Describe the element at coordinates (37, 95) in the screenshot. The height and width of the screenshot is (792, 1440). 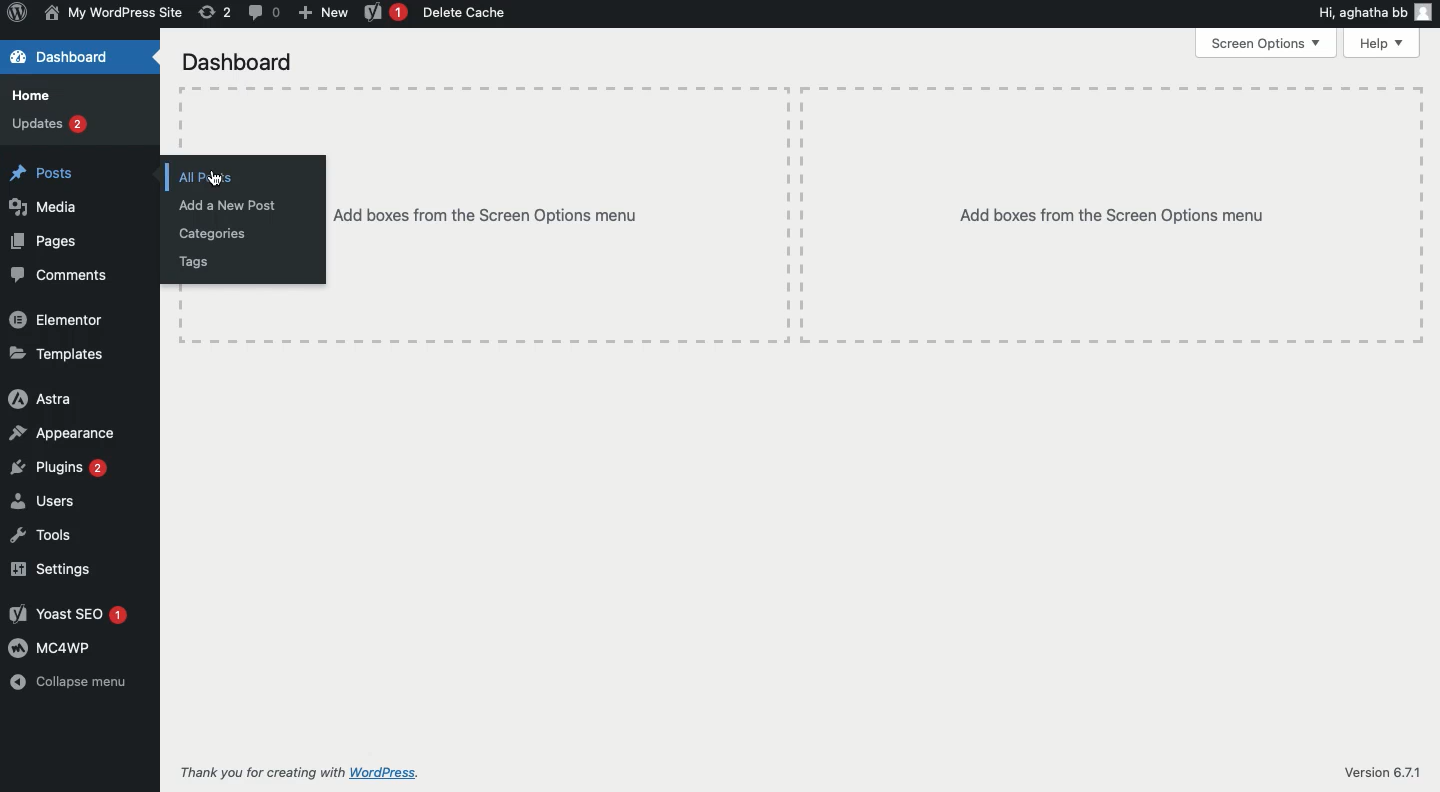
I see `Home` at that location.